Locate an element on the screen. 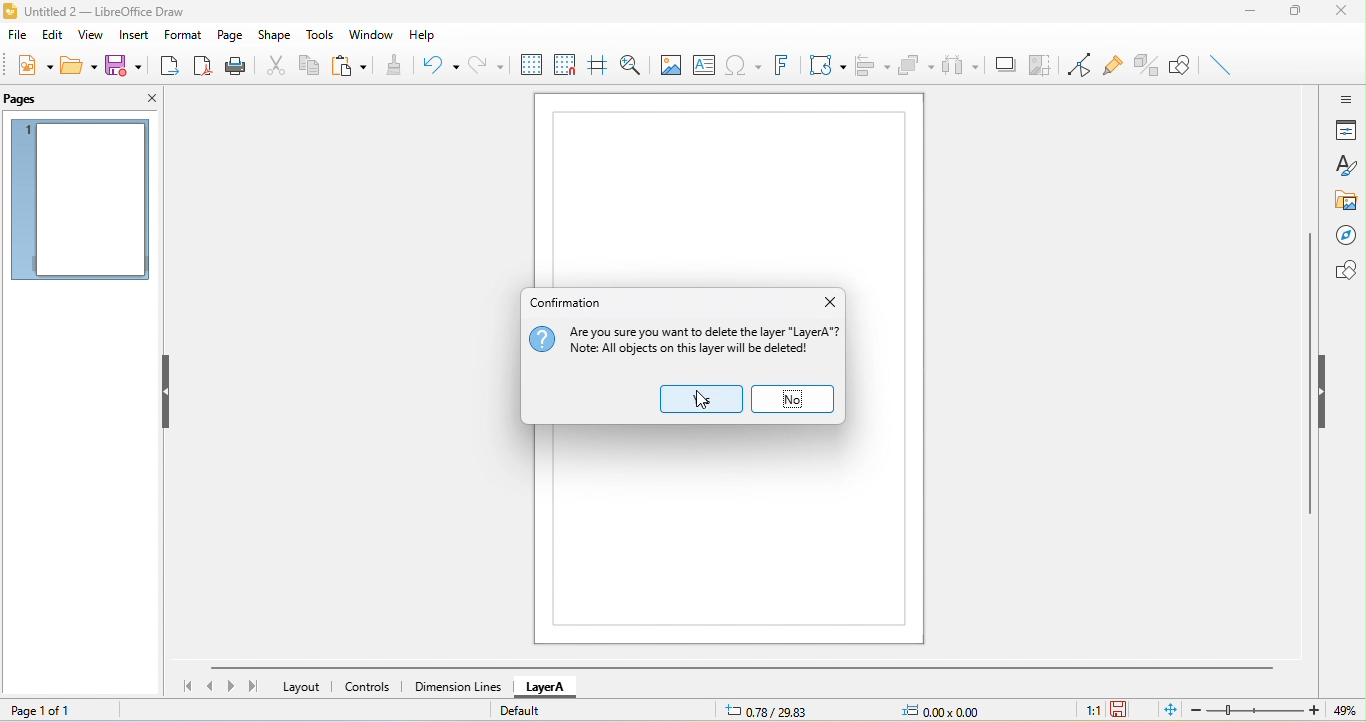 The image size is (1366, 722). default is located at coordinates (535, 713).